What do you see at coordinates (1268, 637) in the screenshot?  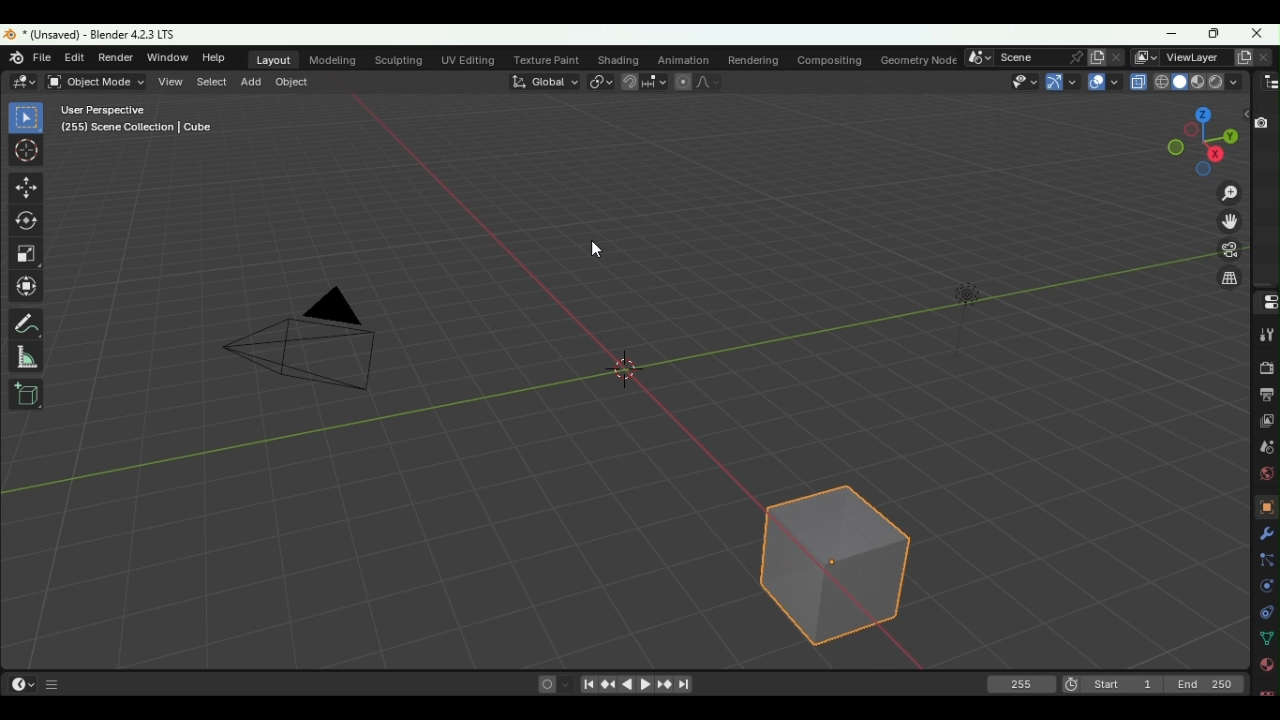 I see `Data` at bounding box center [1268, 637].